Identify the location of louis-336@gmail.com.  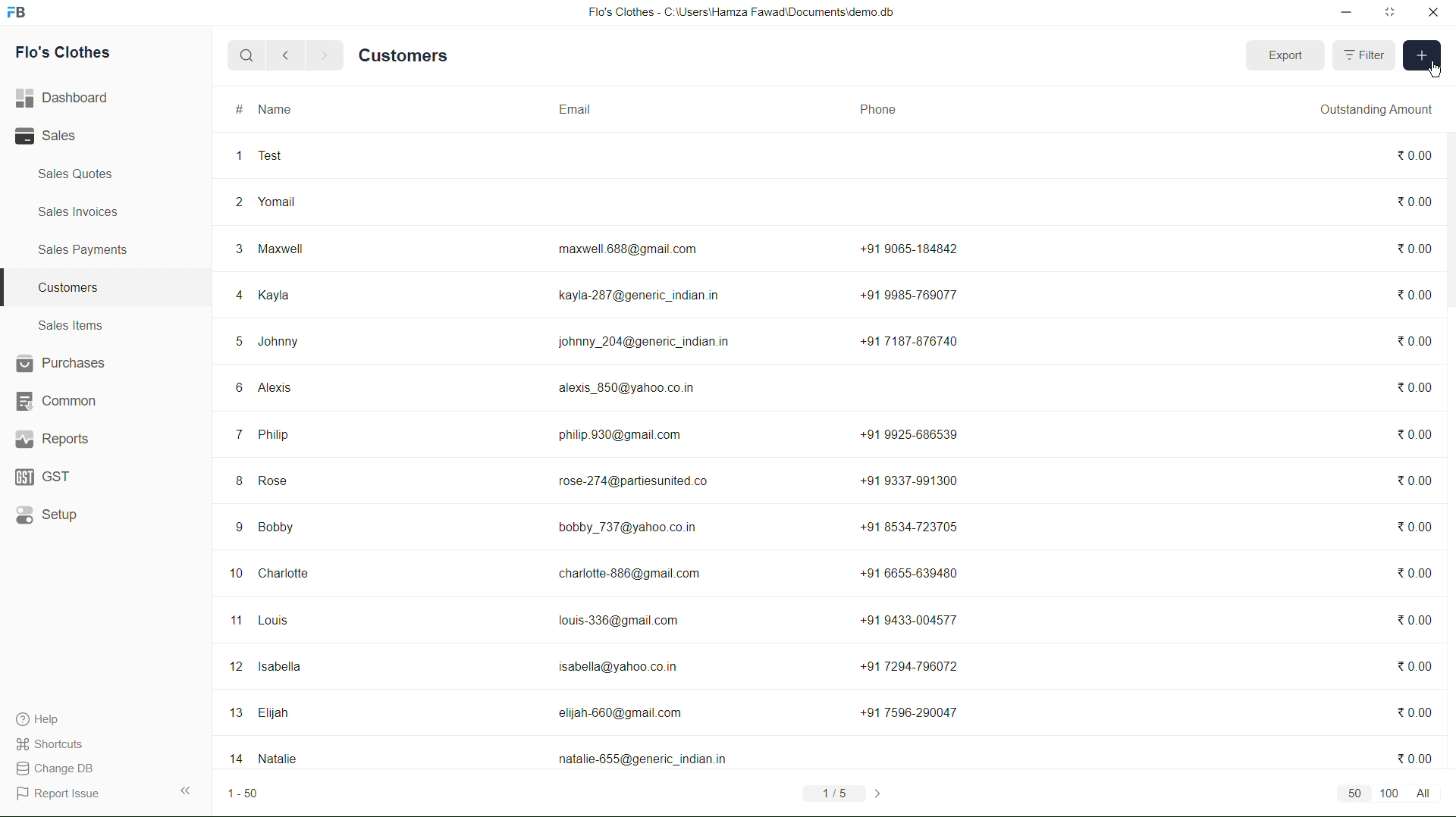
(618, 621).